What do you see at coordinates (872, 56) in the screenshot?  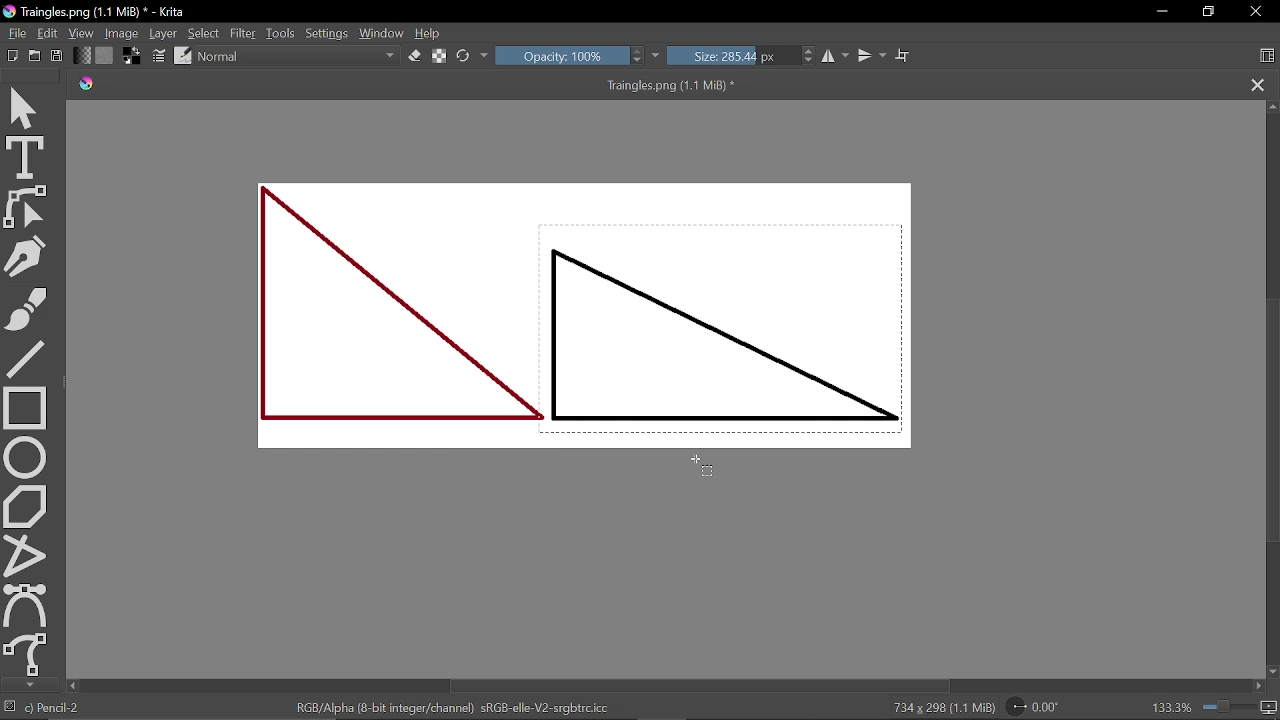 I see `Vertical mirror tool` at bounding box center [872, 56].